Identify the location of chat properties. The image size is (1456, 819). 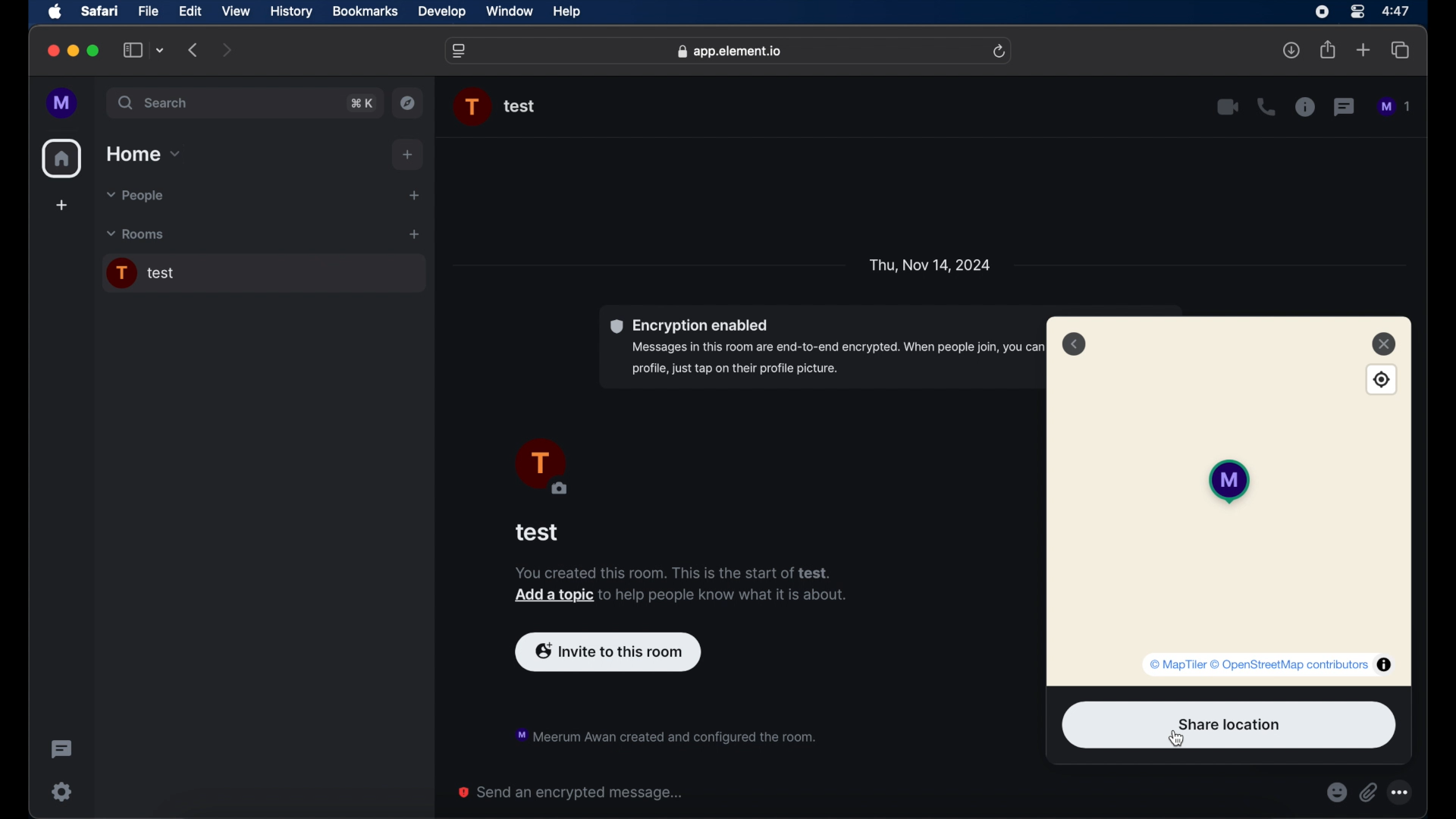
(1305, 108).